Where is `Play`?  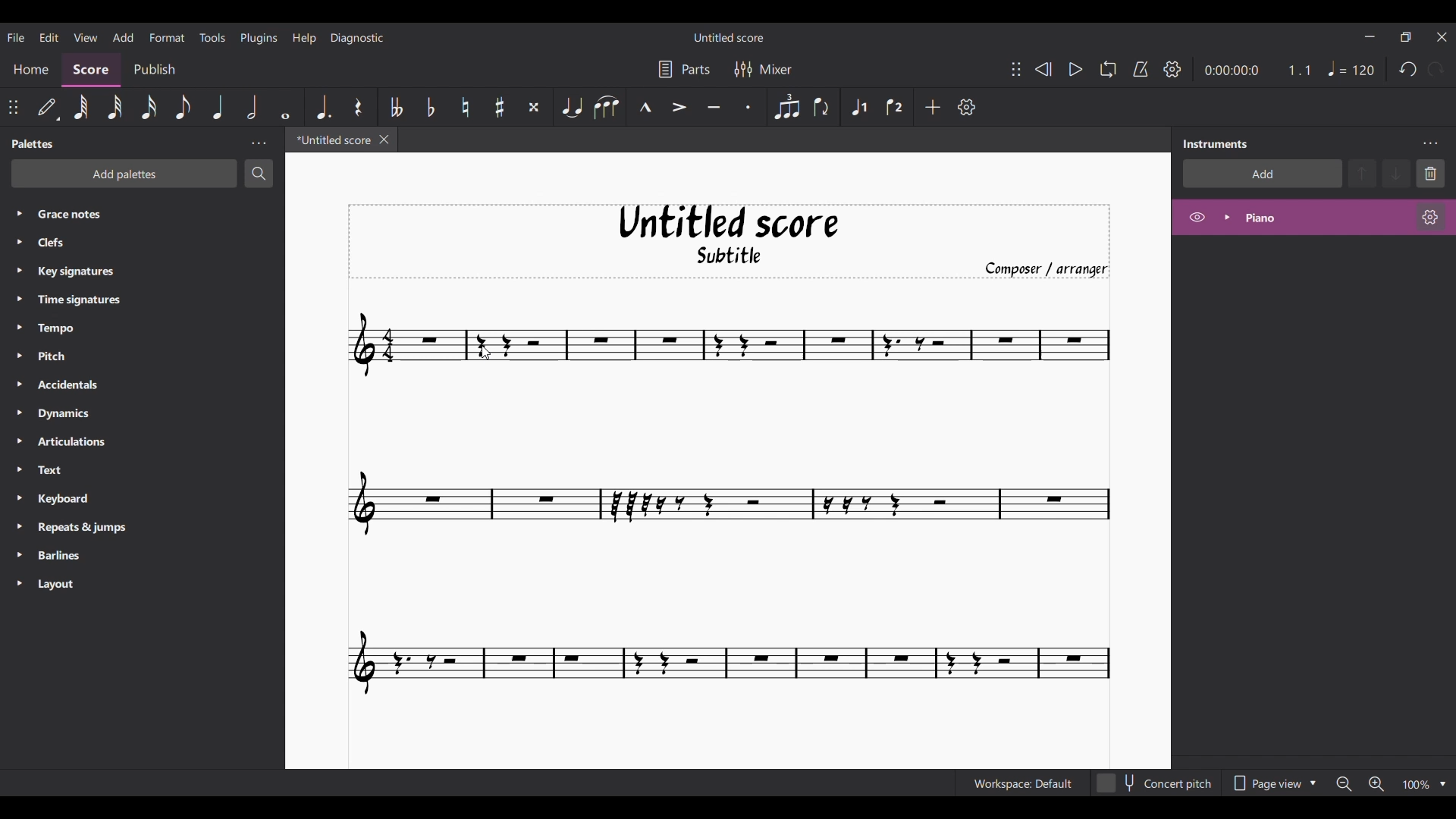
Play is located at coordinates (1075, 69).